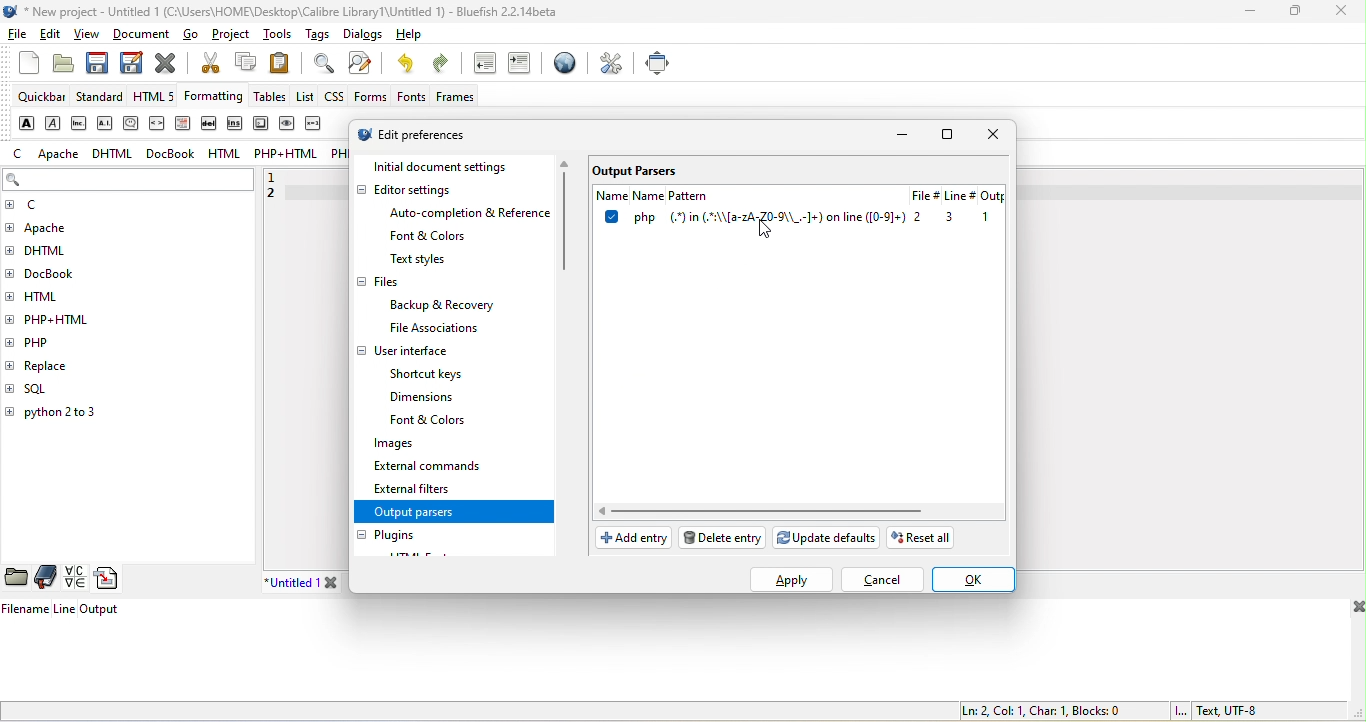 The height and width of the screenshot is (722, 1366). I want to click on shortcut keys, so click(433, 374).